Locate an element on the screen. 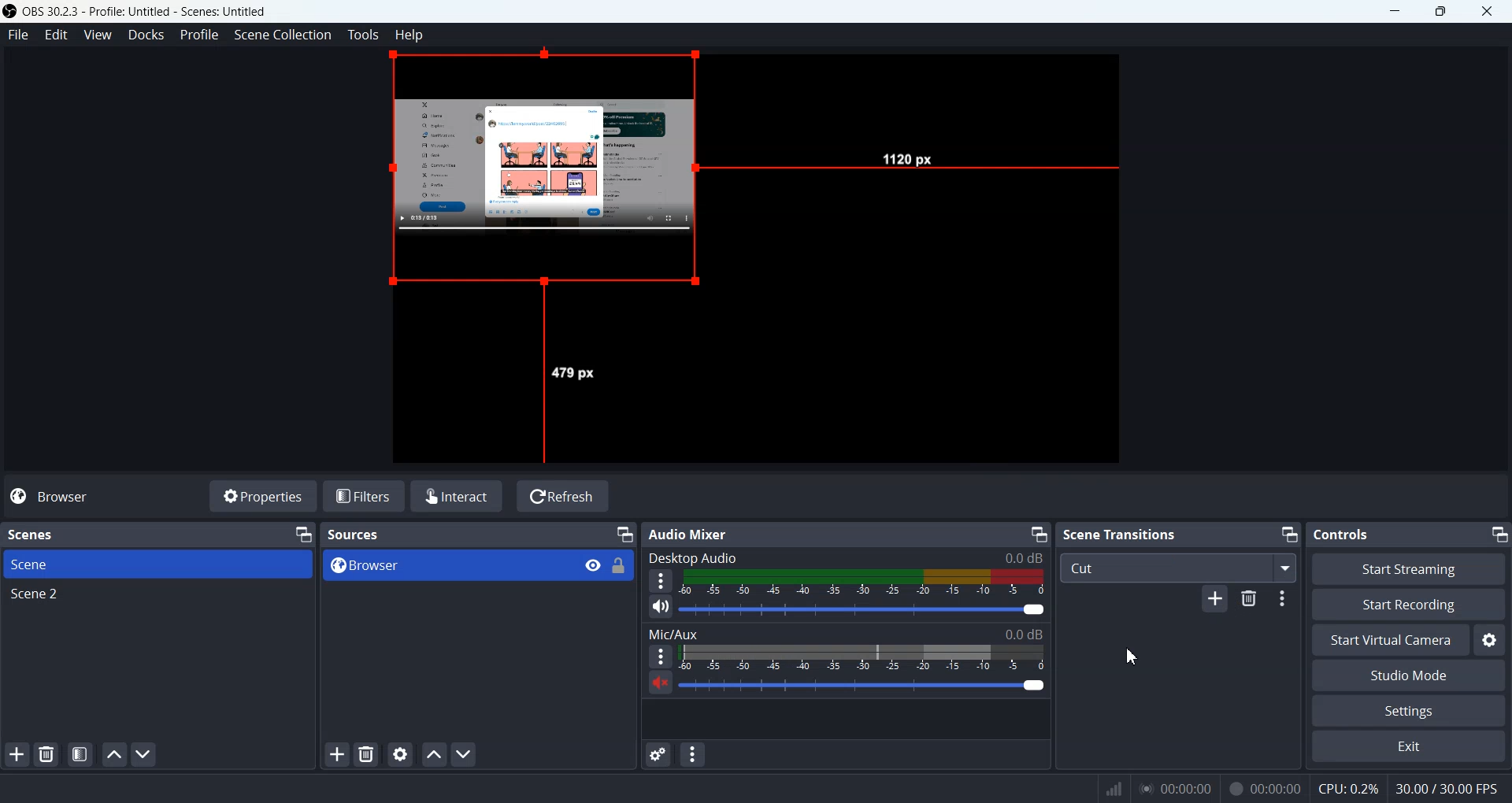  Settings is located at coordinates (1492, 639).